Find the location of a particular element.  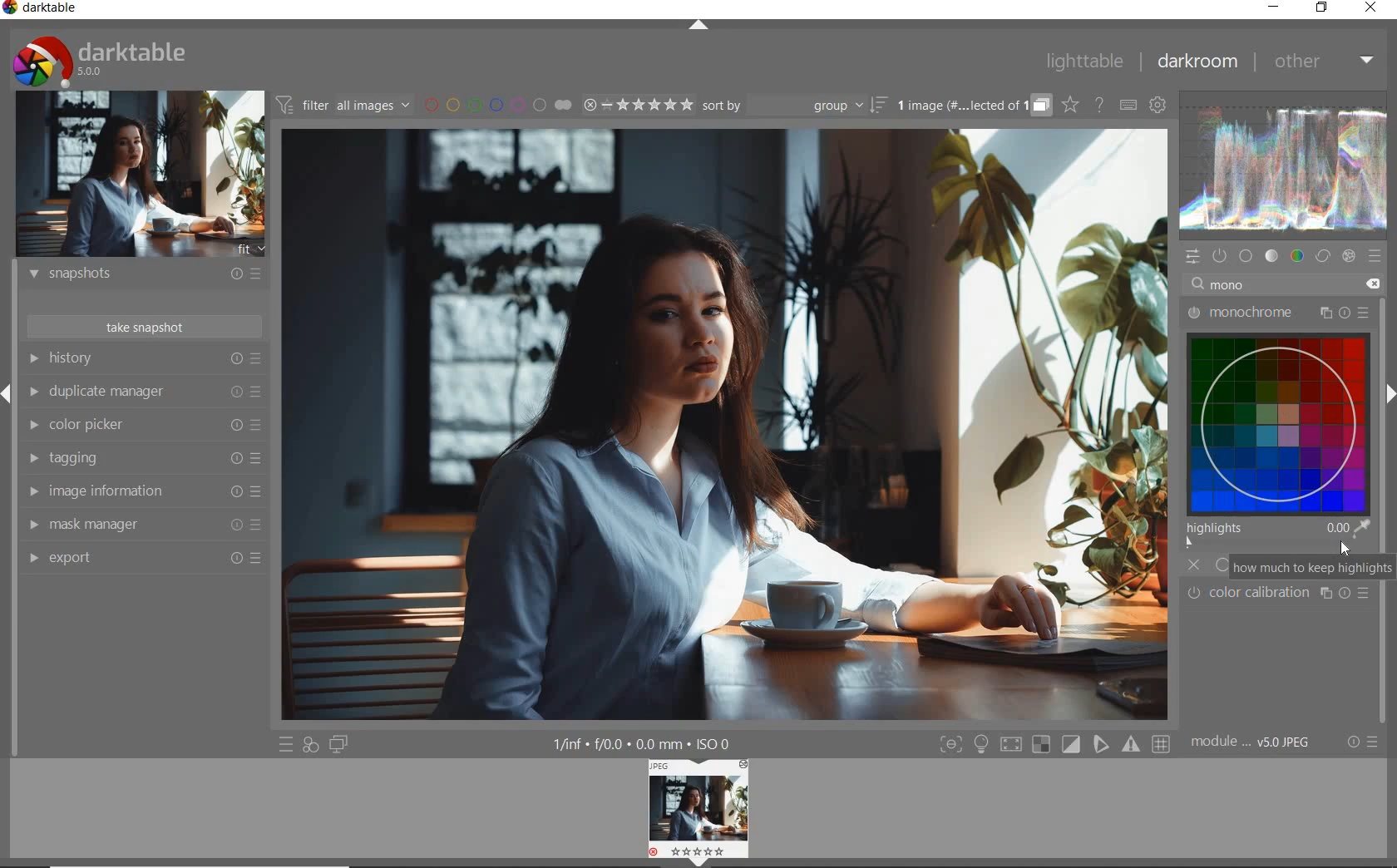

close is located at coordinates (1370, 7).